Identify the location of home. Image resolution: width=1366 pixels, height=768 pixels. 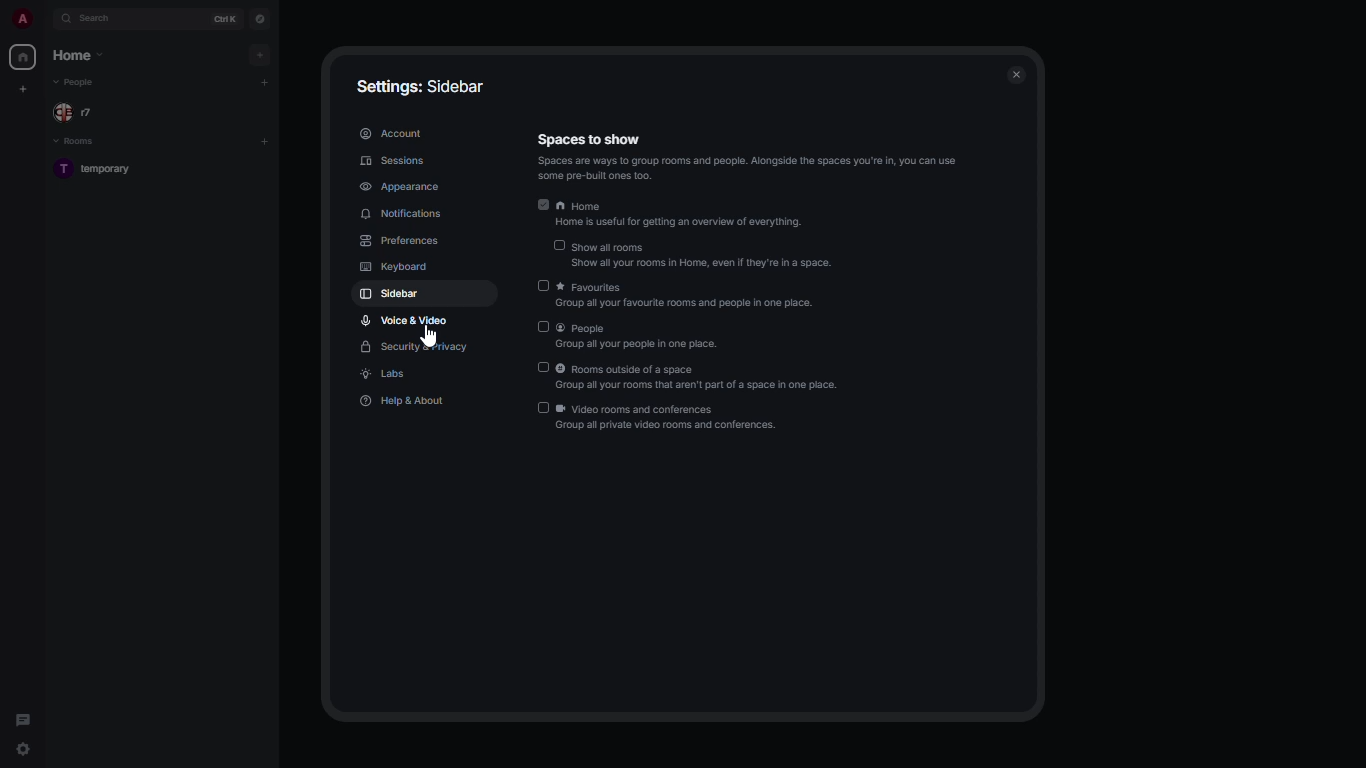
(23, 58).